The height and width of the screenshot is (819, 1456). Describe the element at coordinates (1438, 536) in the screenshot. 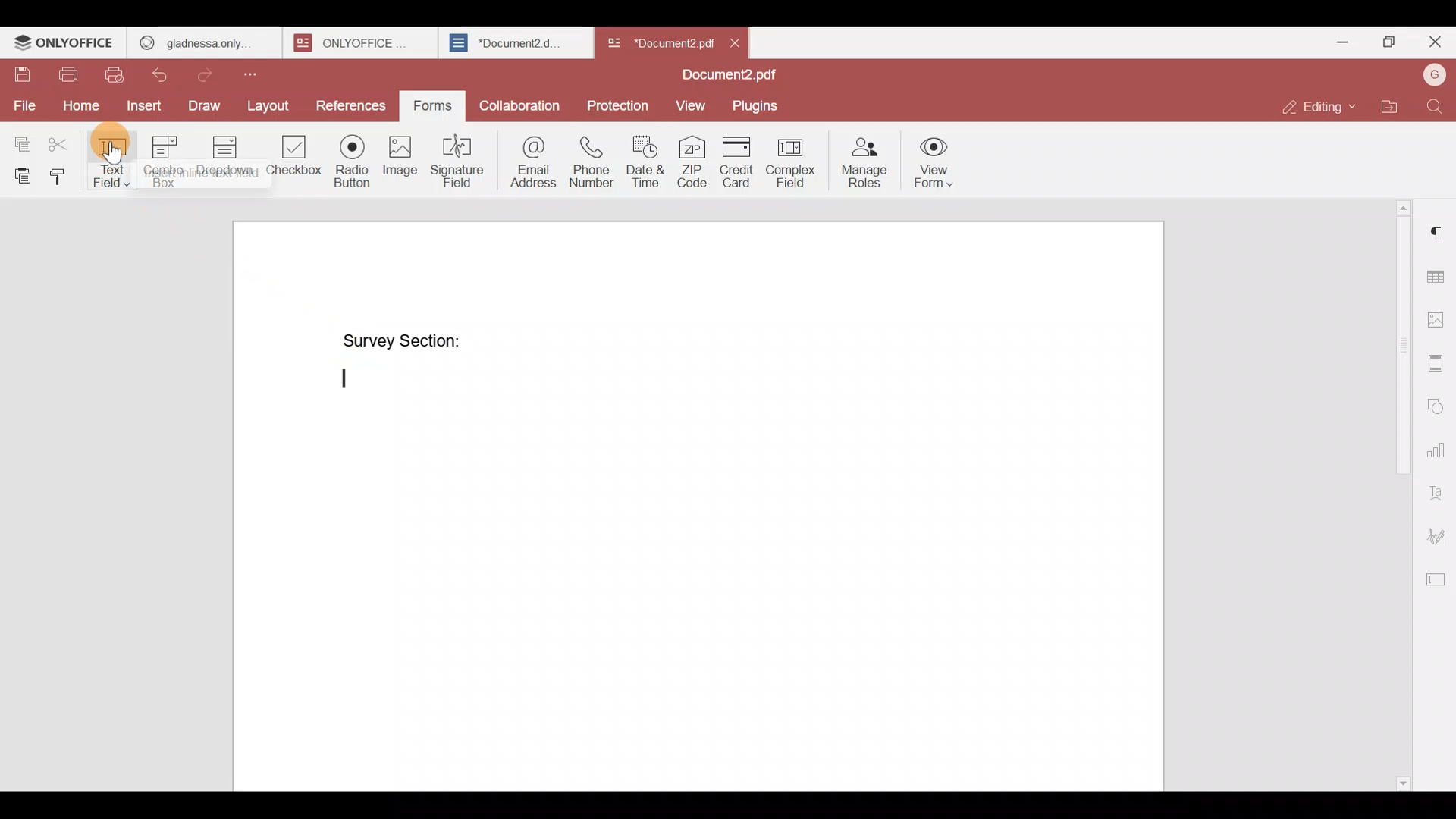

I see `Signature settings` at that location.